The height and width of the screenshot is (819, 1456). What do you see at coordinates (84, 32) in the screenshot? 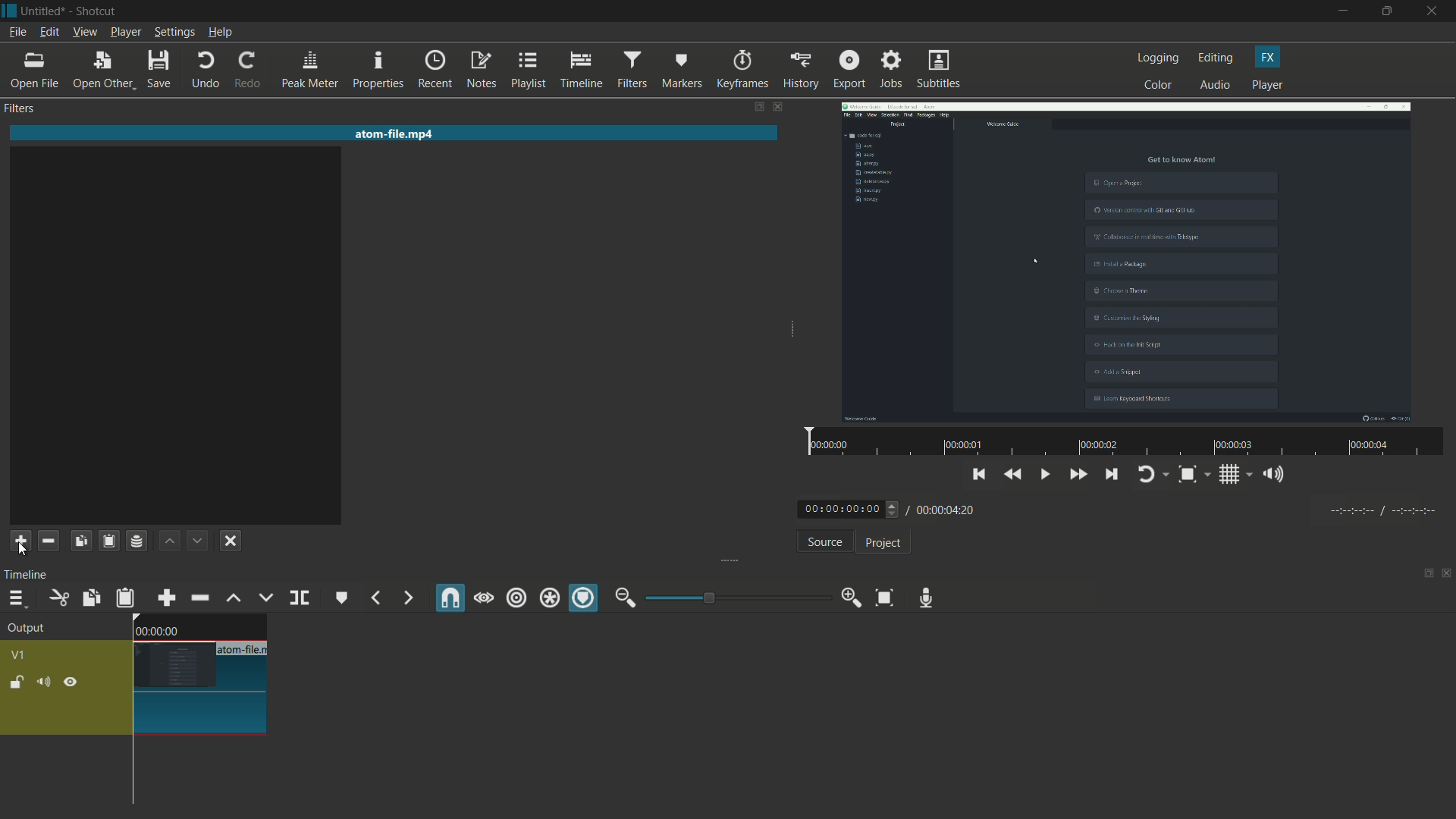
I see `view menu` at bounding box center [84, 32].